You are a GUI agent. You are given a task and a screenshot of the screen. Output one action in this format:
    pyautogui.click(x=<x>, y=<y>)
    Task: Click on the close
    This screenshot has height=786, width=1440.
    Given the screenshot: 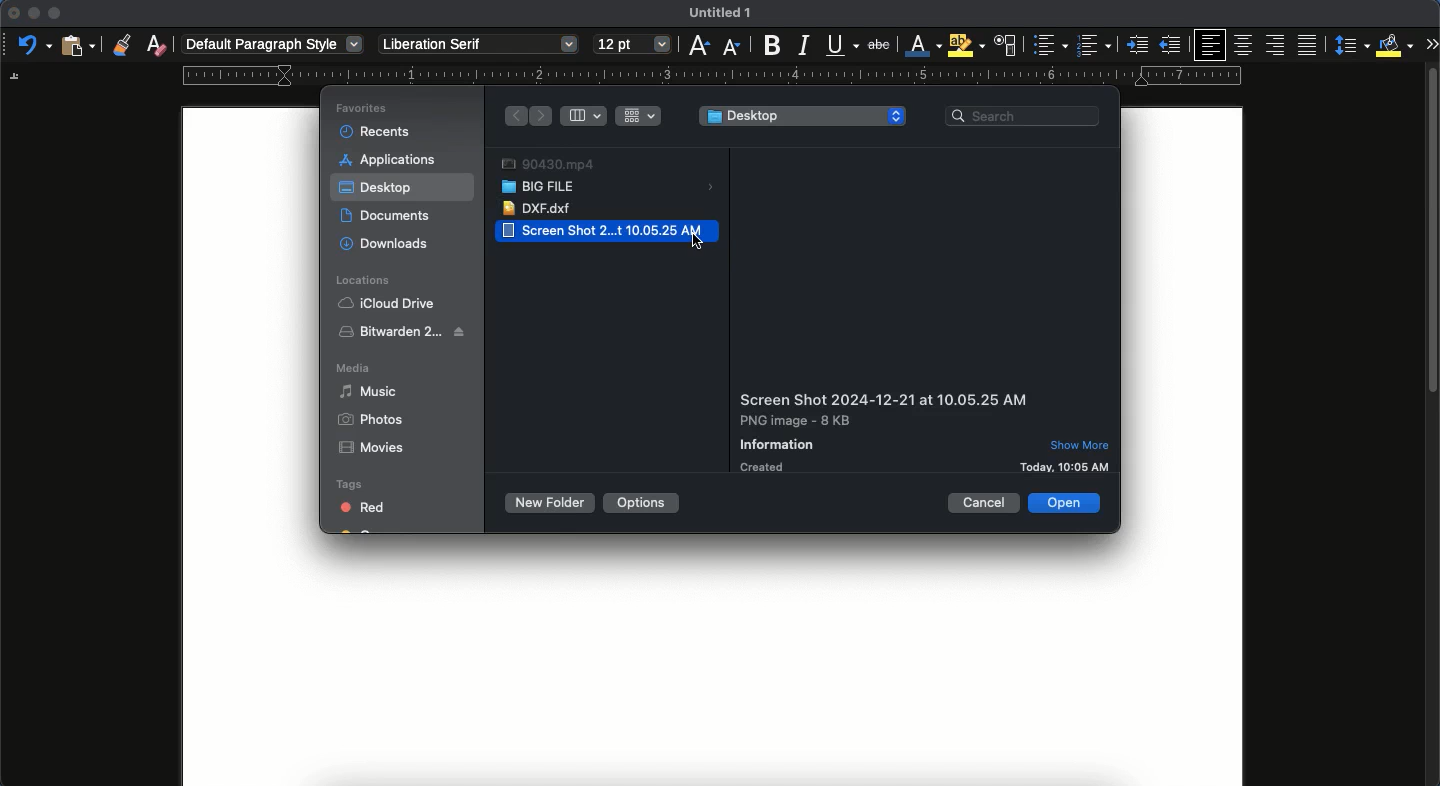 What is the action you would take?
    pyautogui.click(x=11, y=12)
    